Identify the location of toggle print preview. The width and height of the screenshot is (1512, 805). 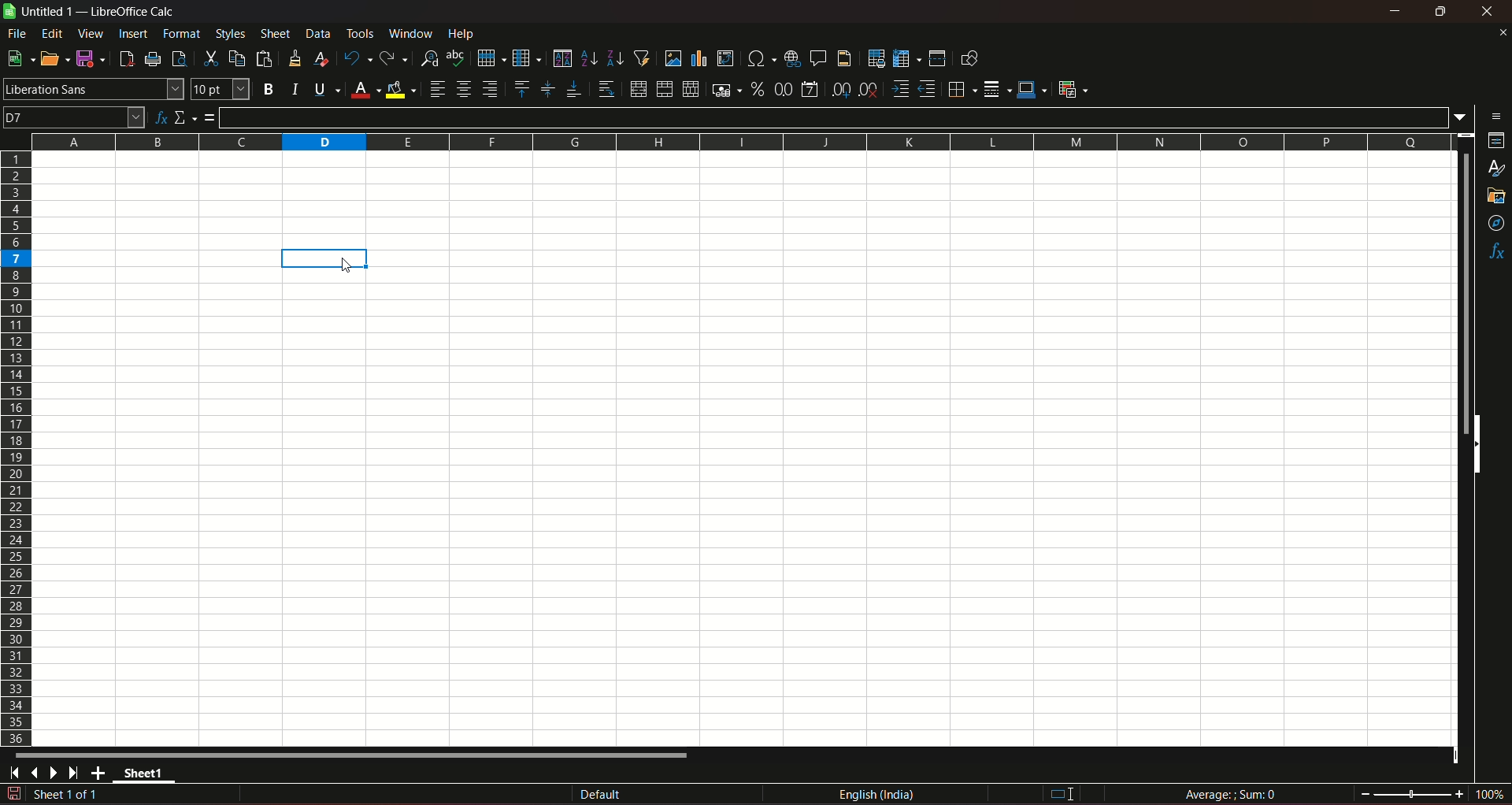
(177, 57).